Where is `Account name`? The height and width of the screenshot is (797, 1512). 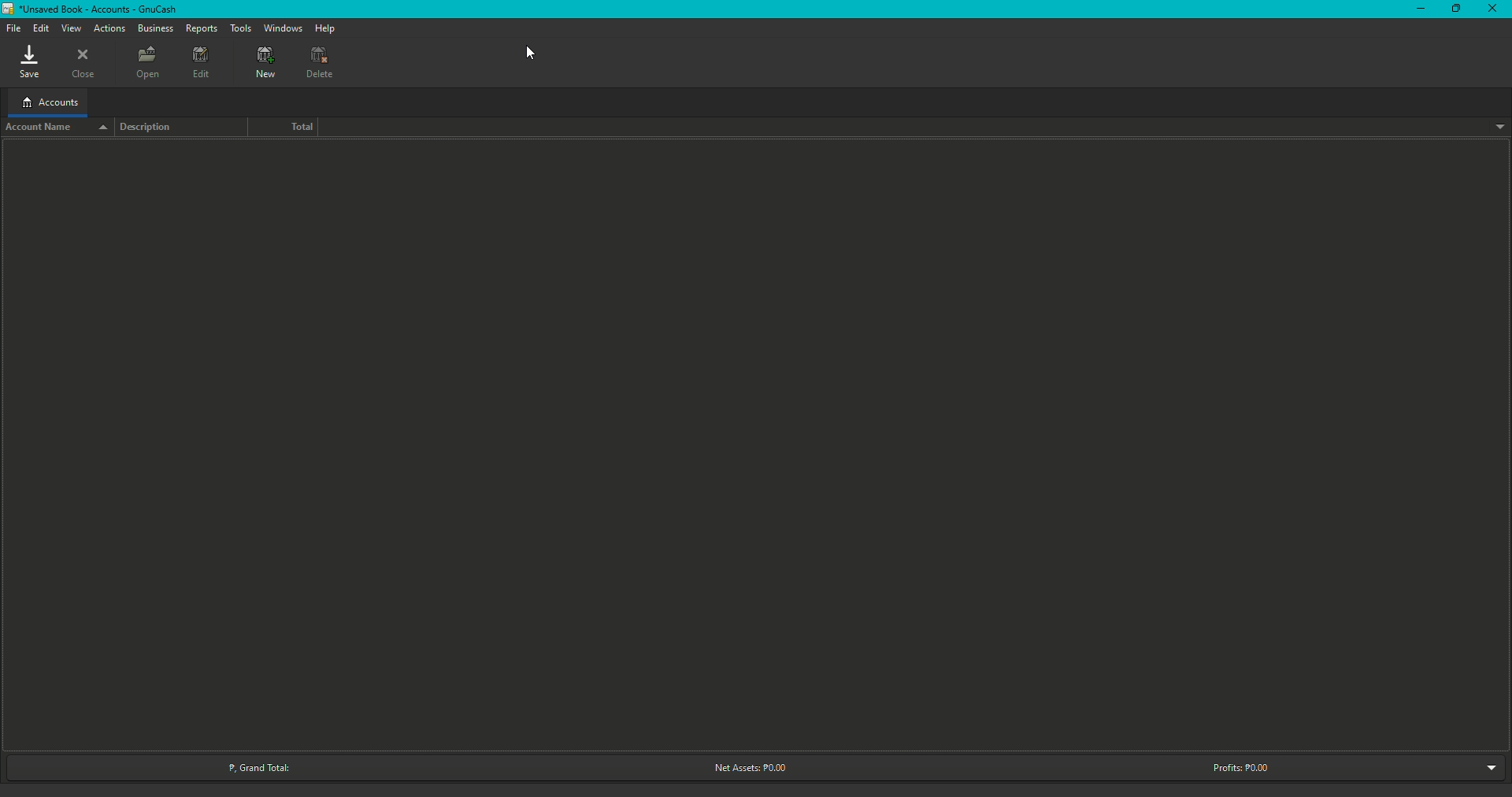
Account name is located at coordinates (55, 129).